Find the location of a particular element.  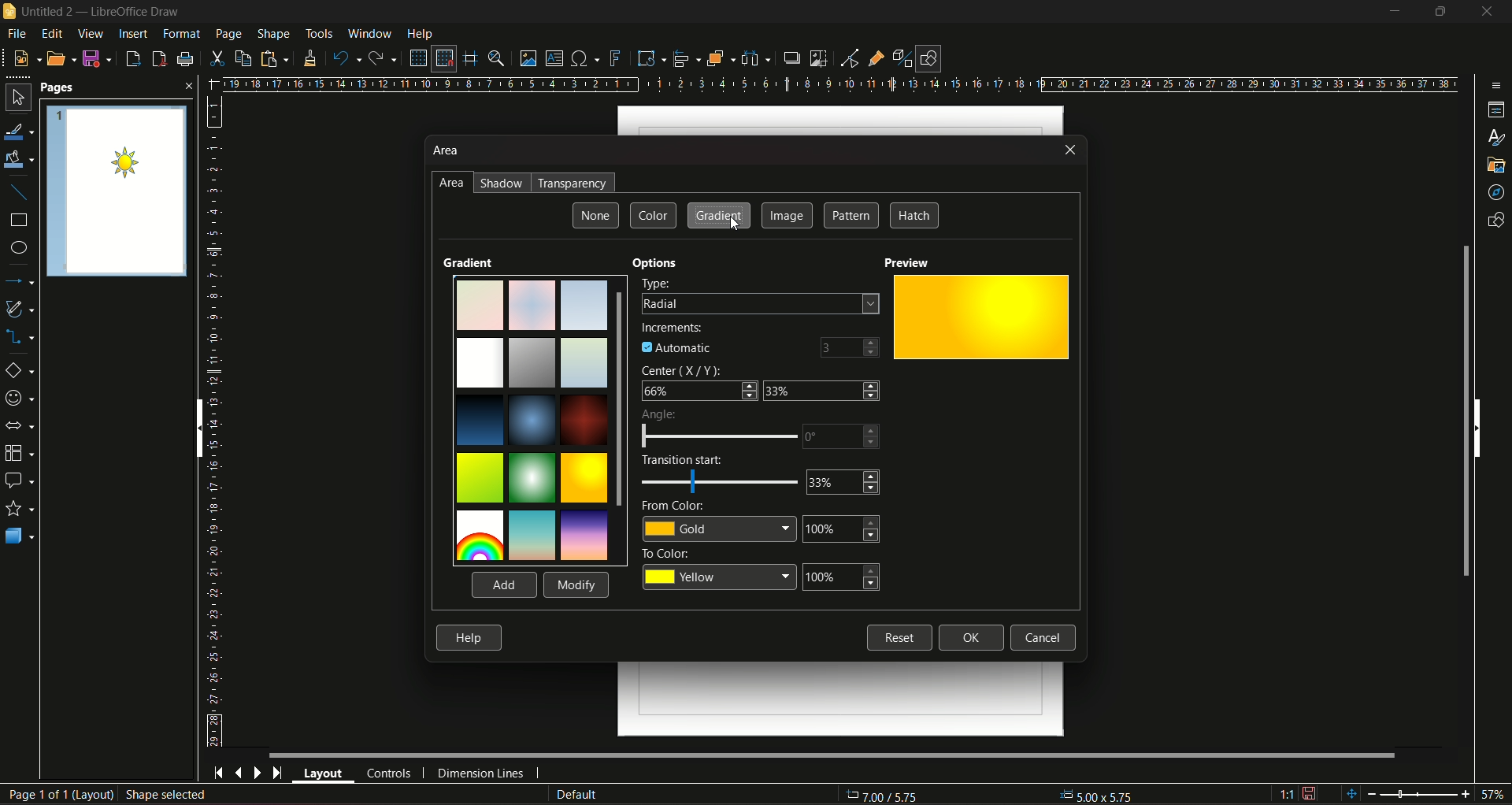

area is located at coordinates (447, 150).